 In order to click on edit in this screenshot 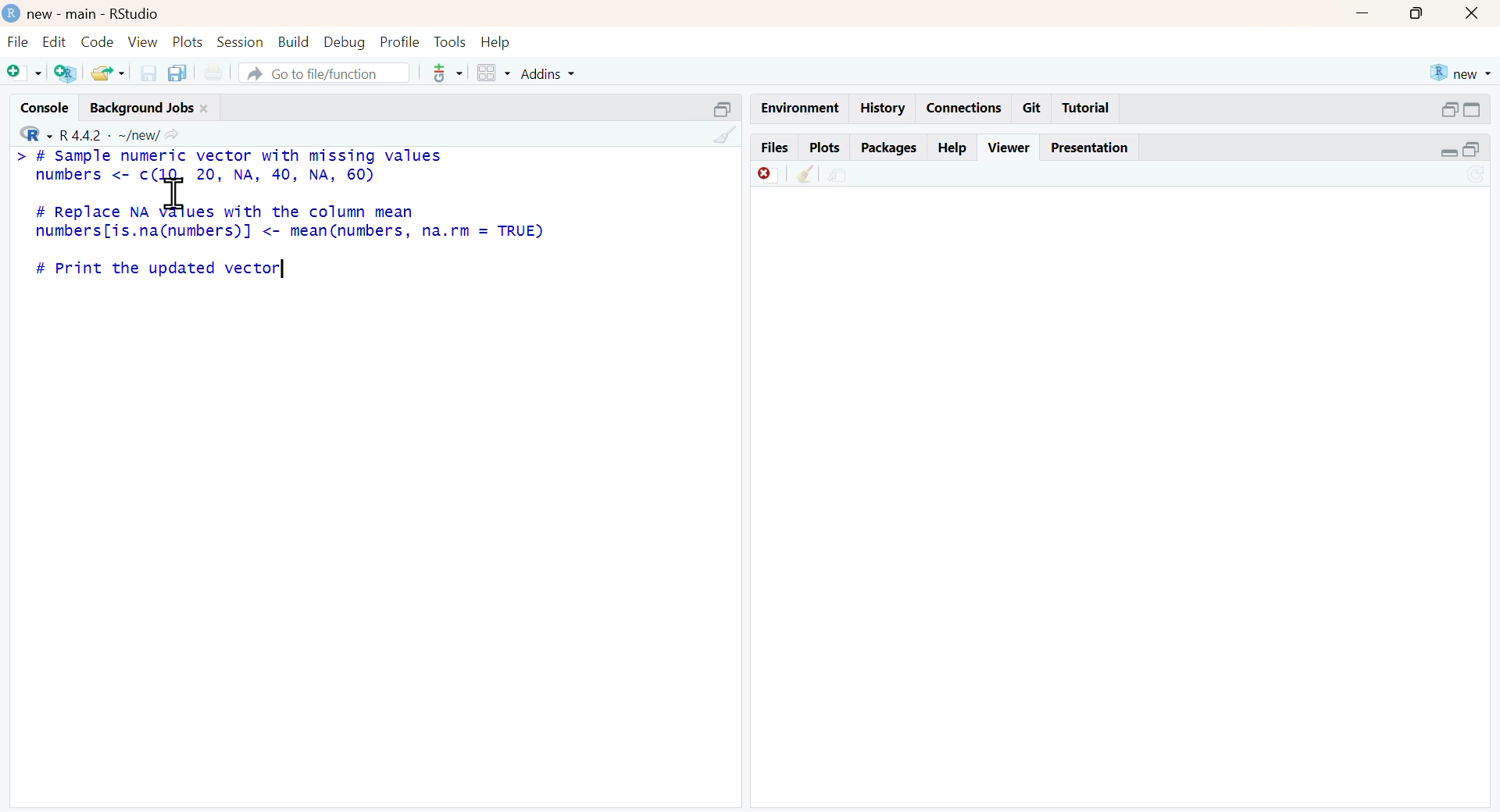, I will do `click(55, 41)`.